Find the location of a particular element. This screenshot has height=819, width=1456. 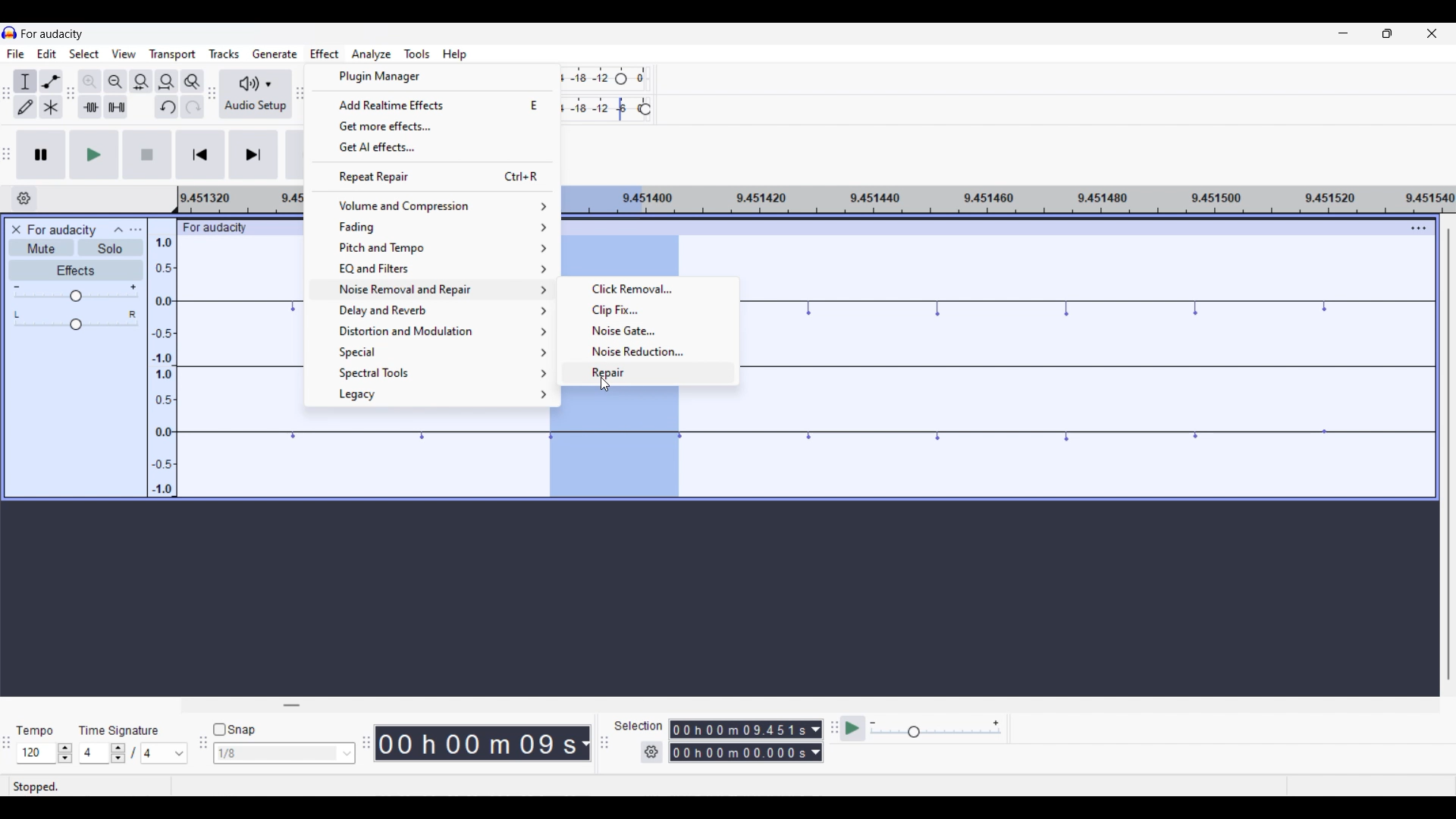

Special options is located at coordinates (433, 352).